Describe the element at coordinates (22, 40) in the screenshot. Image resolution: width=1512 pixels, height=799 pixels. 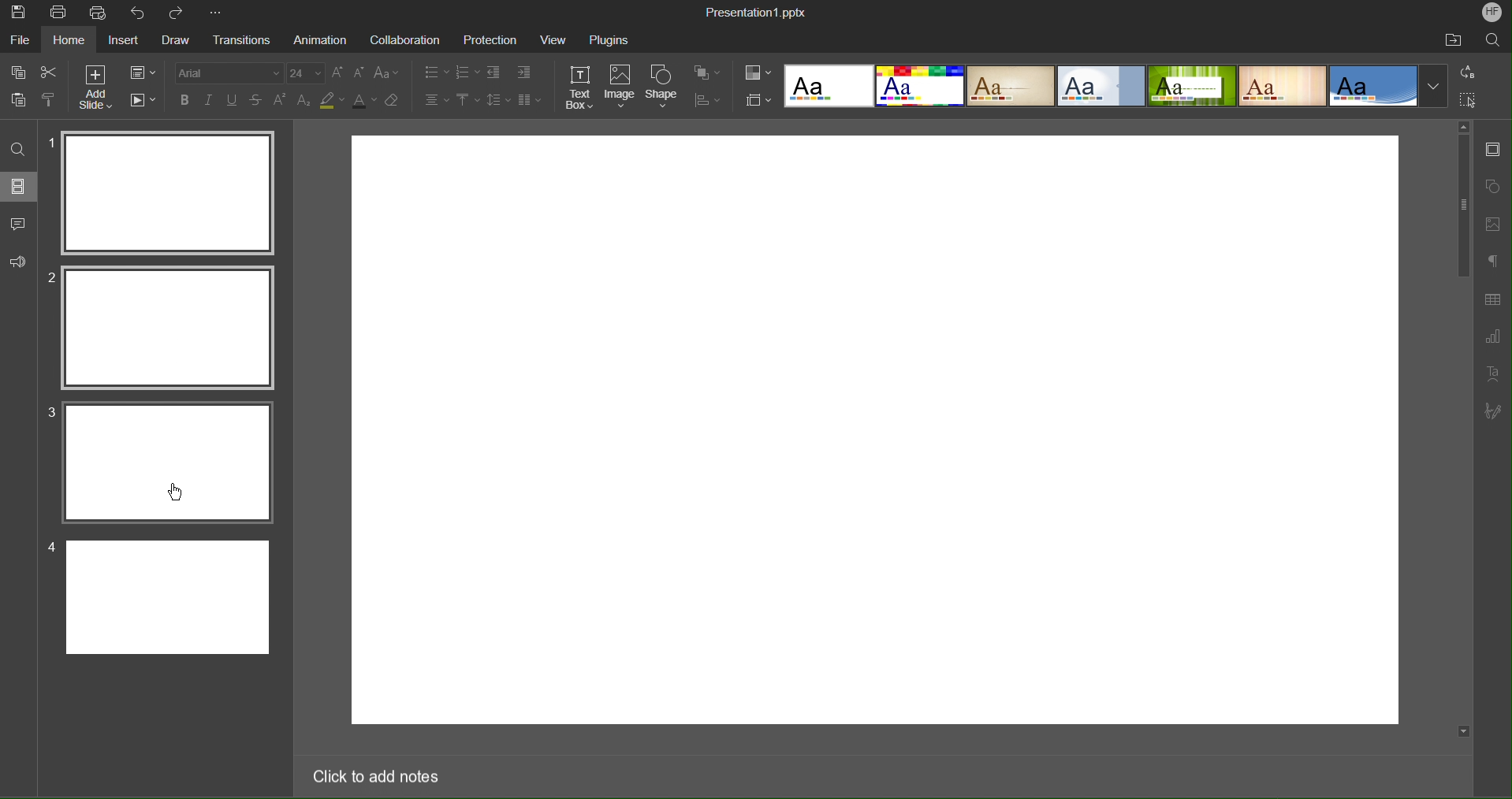
I see `File ` at that location.